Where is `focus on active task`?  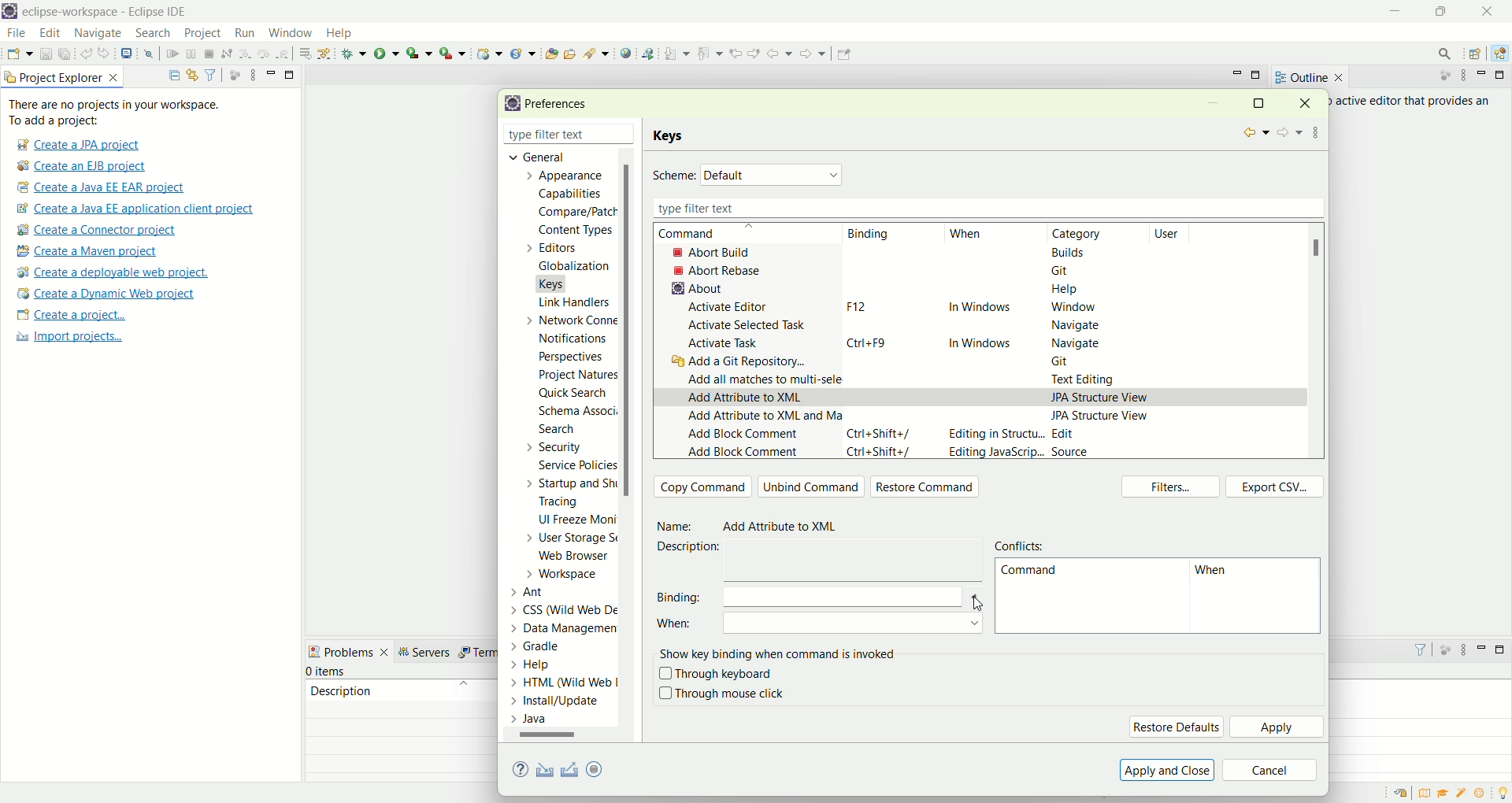 focus on active task is located at coordinates (233, 74).